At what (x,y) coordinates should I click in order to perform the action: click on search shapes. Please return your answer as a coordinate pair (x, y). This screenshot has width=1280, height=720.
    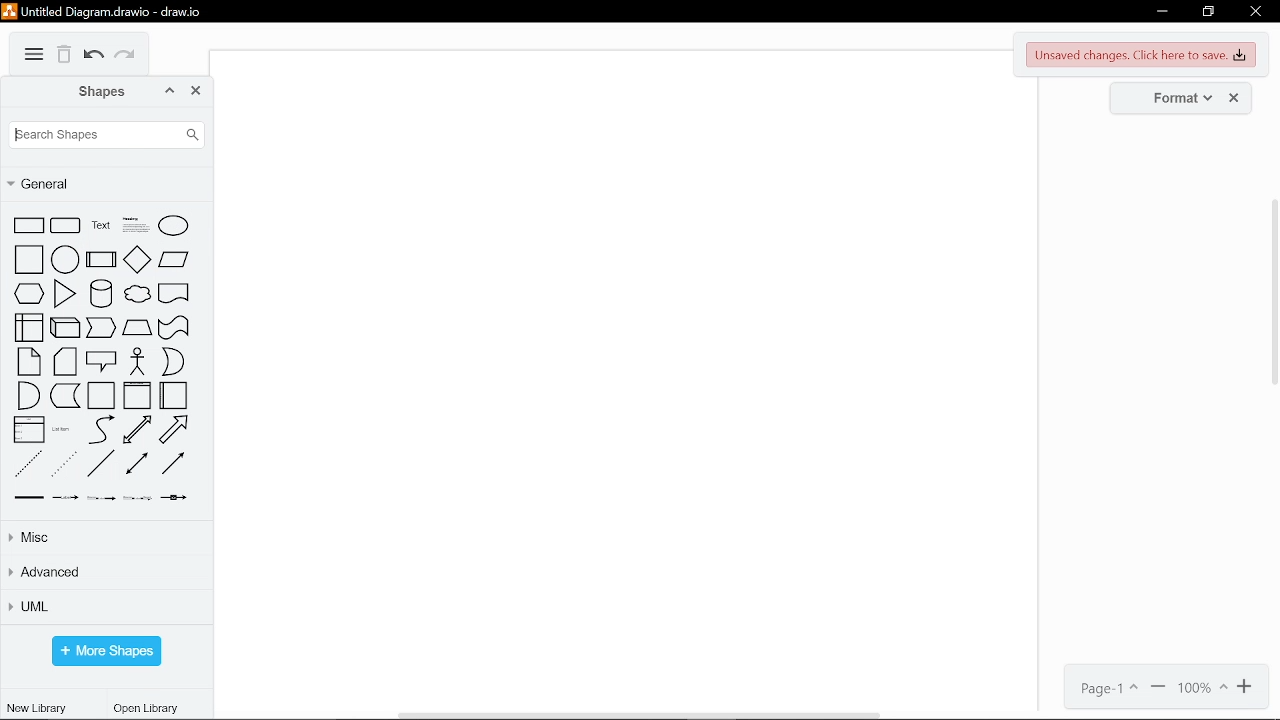
    Looking at the image, I should click on (106, 135).